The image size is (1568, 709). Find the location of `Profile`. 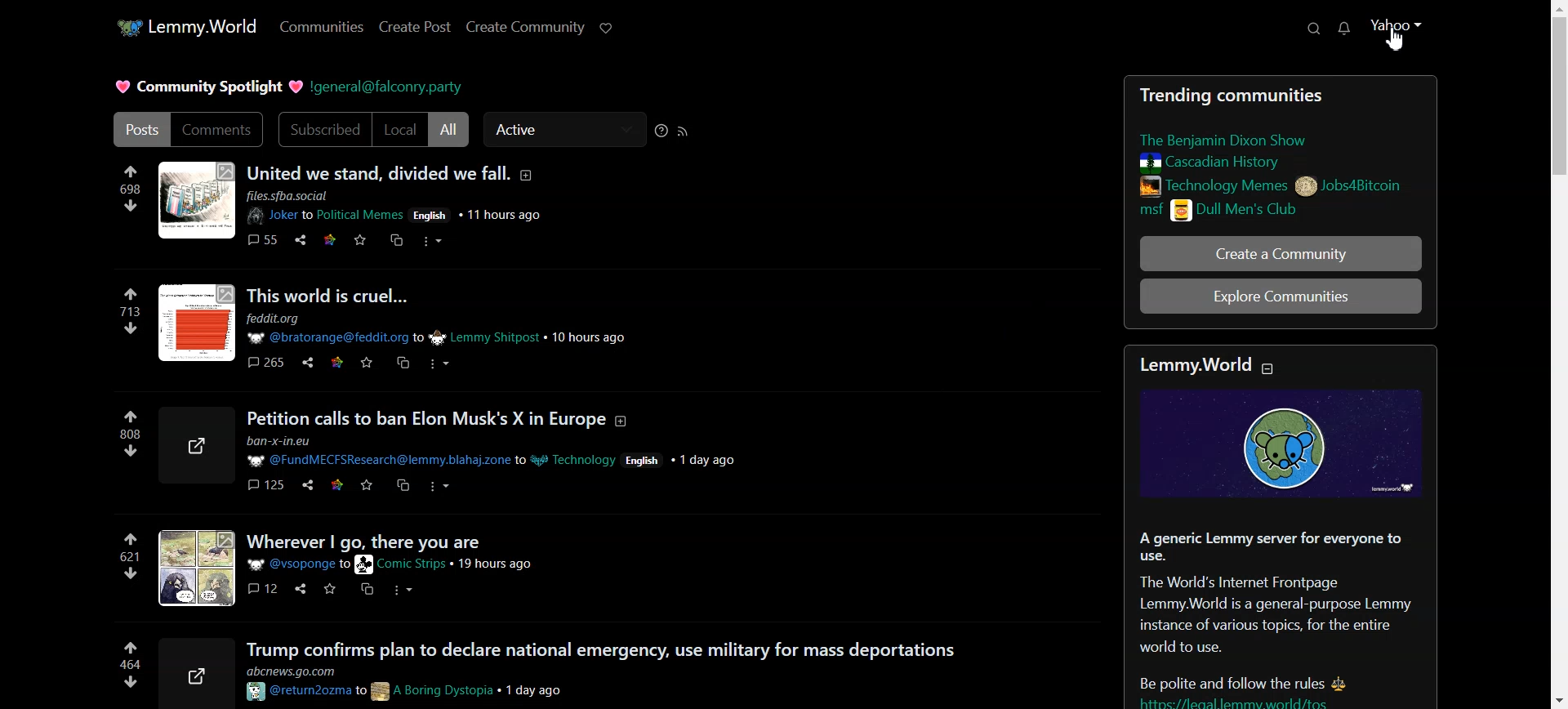

Profile is located at coordinates (1398, 37).